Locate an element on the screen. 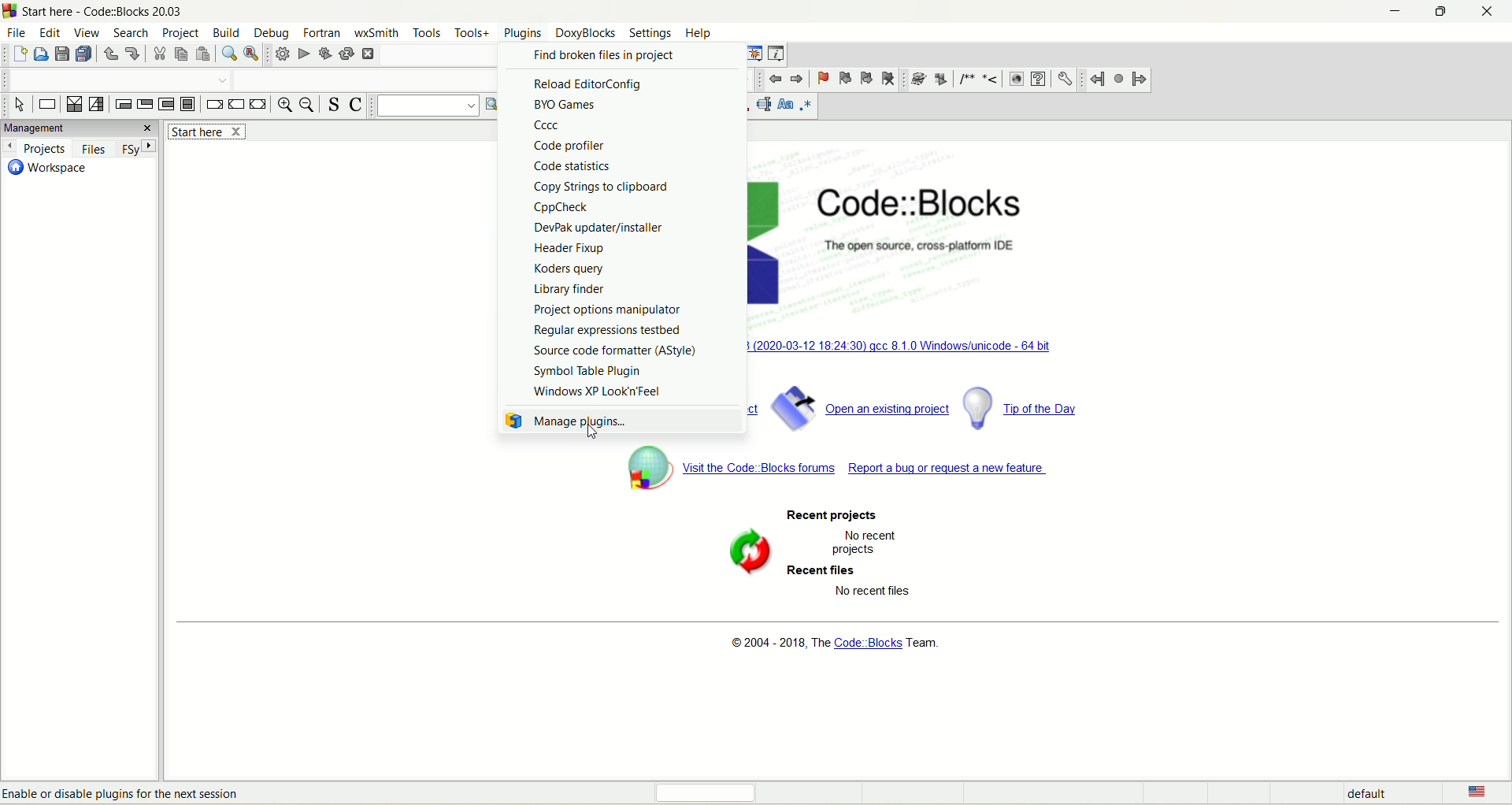 This screenshot has width=1512, height=805. exit condition loop is located at coordinates (144, 106).